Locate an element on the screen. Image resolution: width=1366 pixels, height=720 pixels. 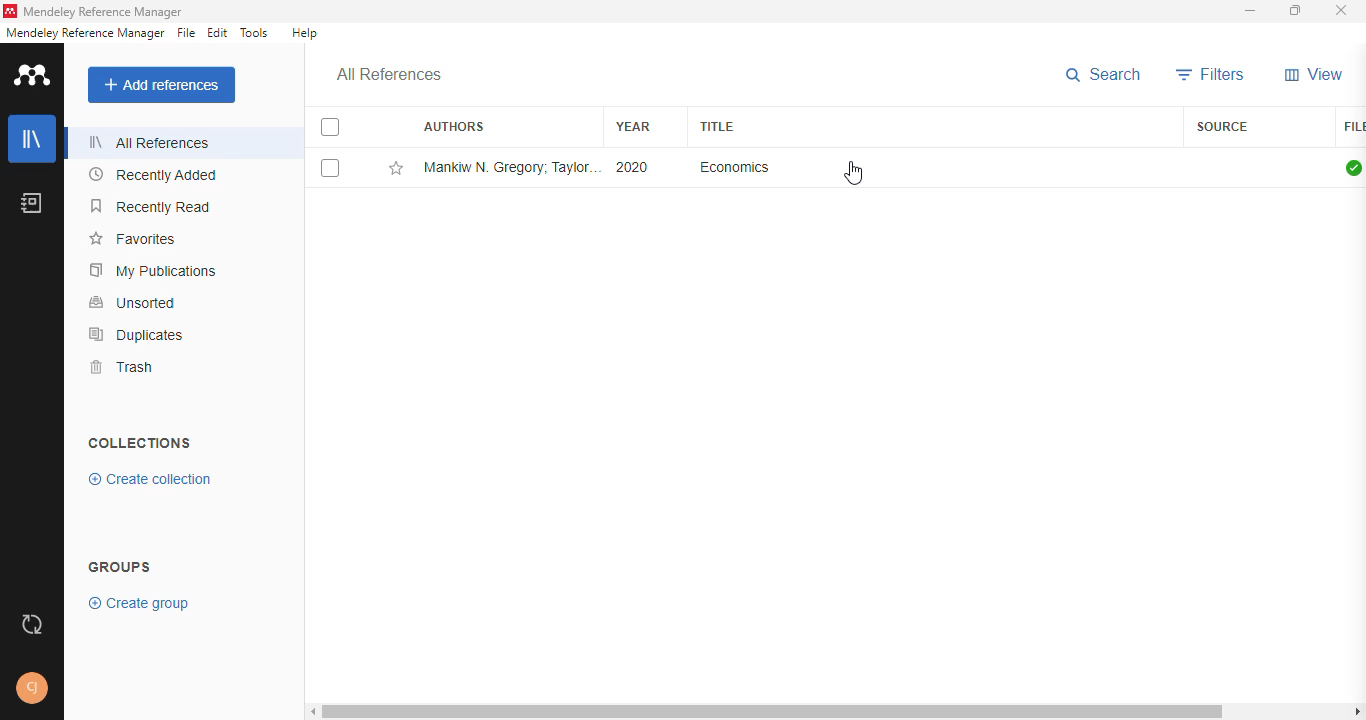
logo is located at coordinates (10, 11).